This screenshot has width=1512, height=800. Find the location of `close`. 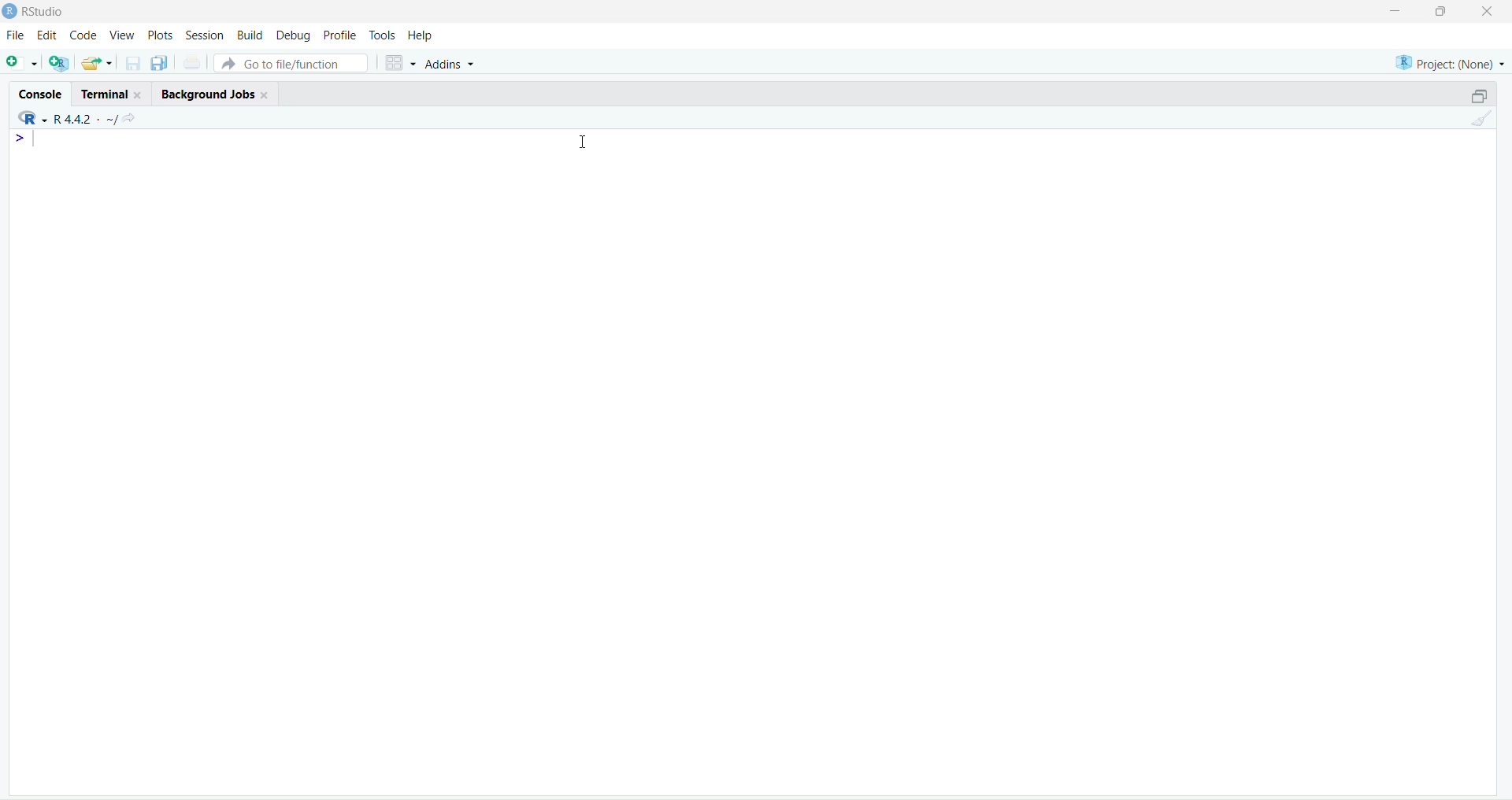

close is located at coordinates (1488, 11).